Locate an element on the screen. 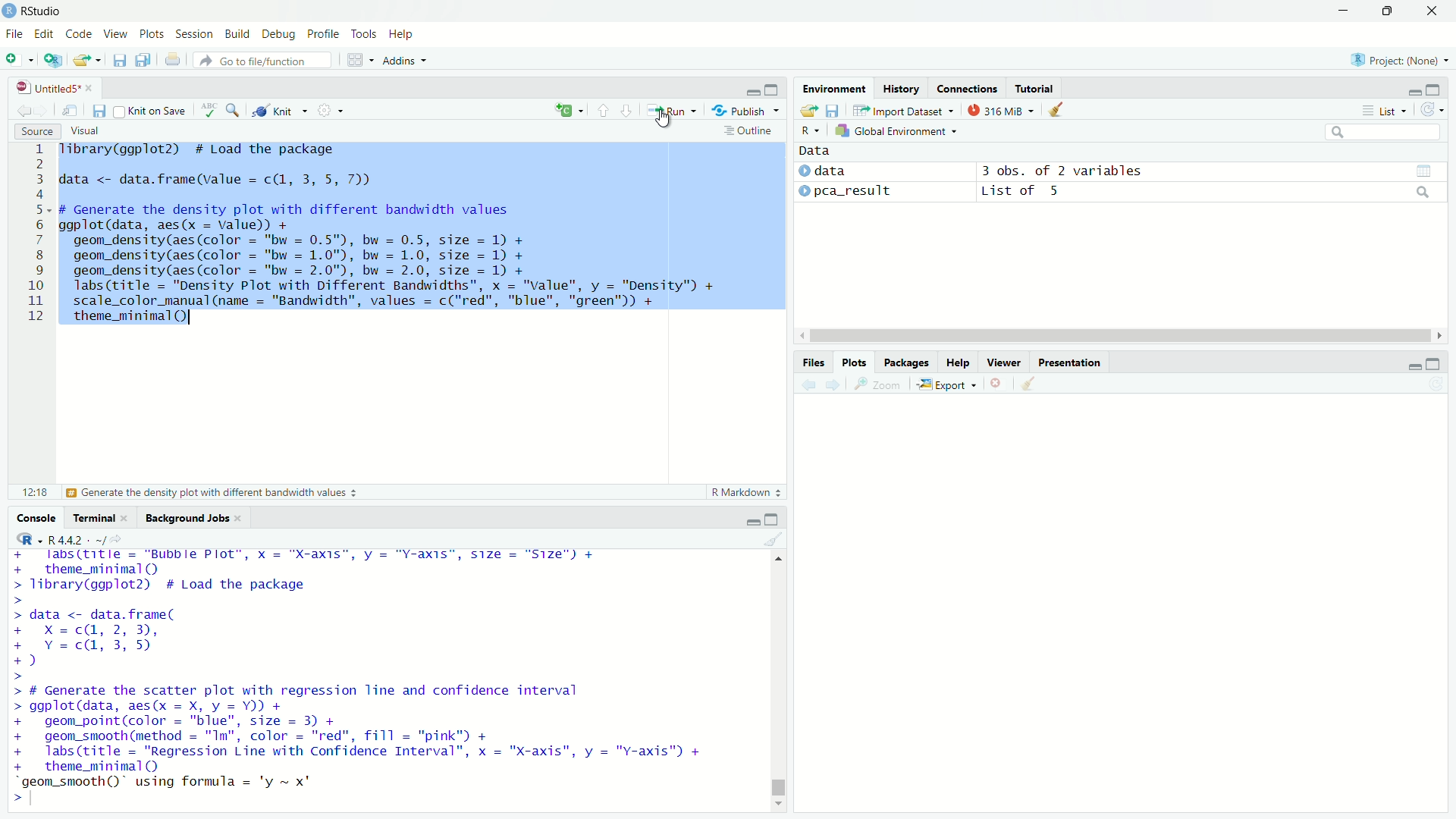 The height and width of the screenshot is (819, 1456). Publish is located at coordinates (745, 109).